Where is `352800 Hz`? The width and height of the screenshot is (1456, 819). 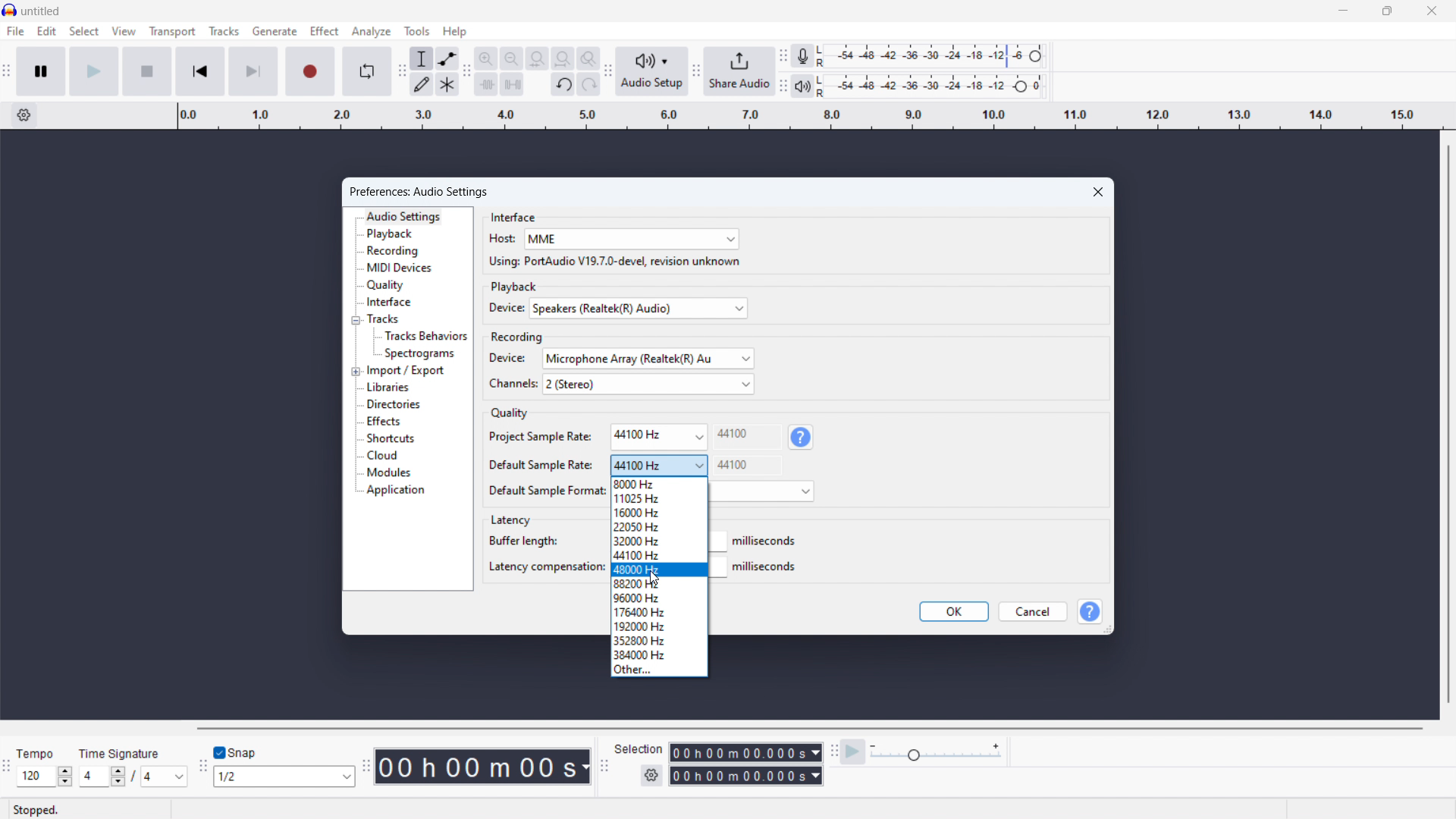
352800 Hz is located at coordinates (660, 639).